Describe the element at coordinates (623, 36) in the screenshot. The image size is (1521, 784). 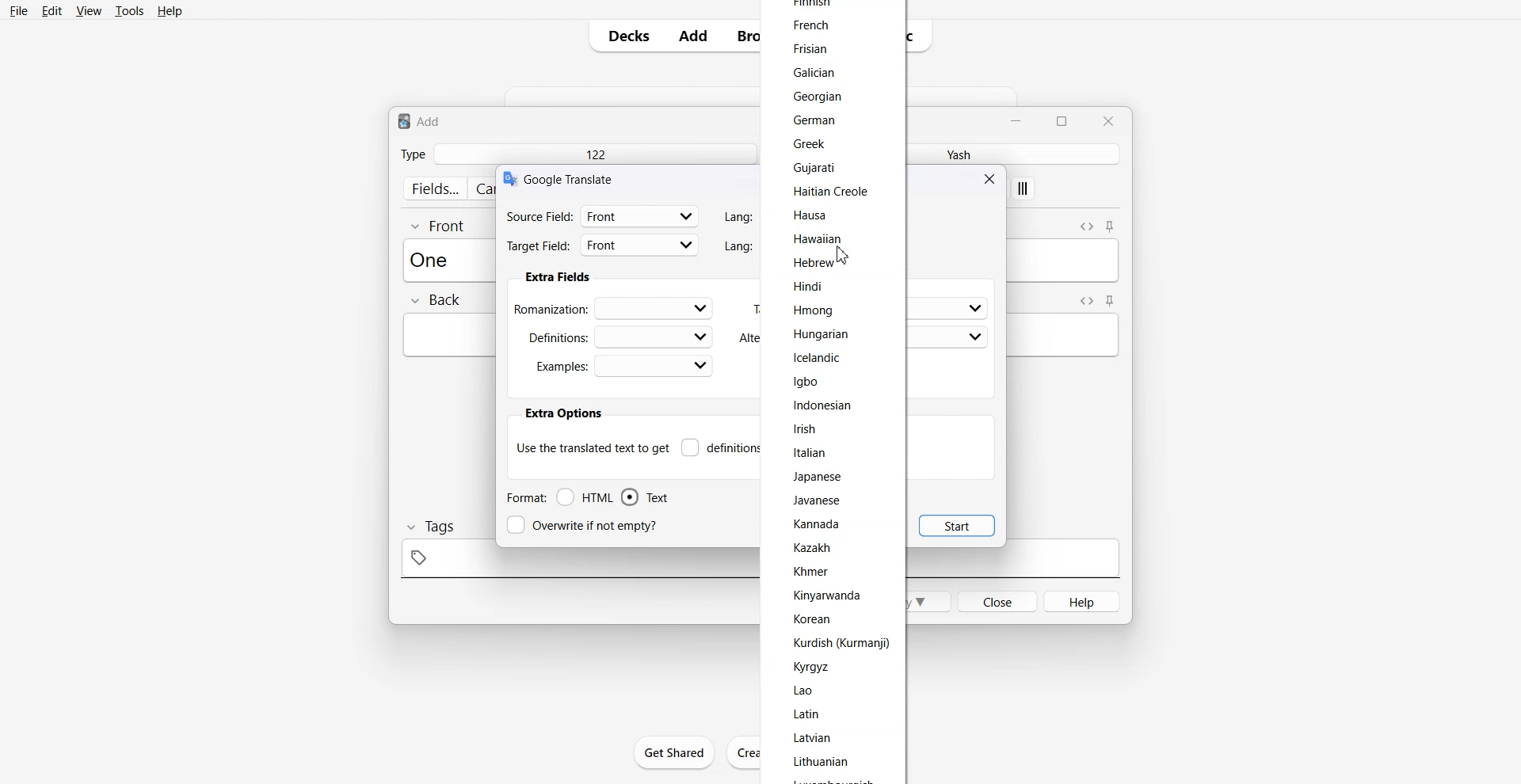
I see `Decks` at that location.